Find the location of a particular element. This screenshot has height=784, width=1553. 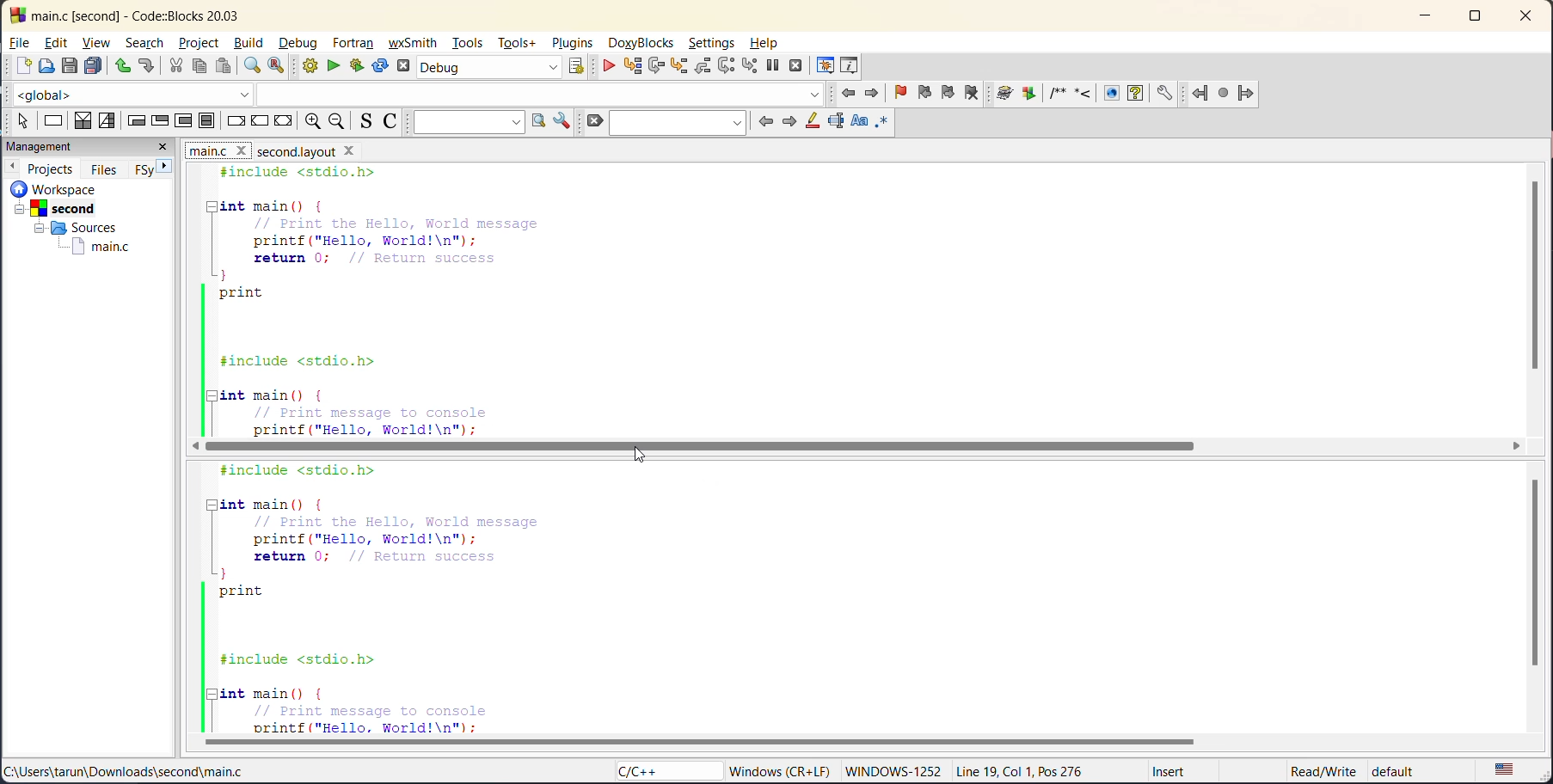

replace is located at coordinates (272, 67).